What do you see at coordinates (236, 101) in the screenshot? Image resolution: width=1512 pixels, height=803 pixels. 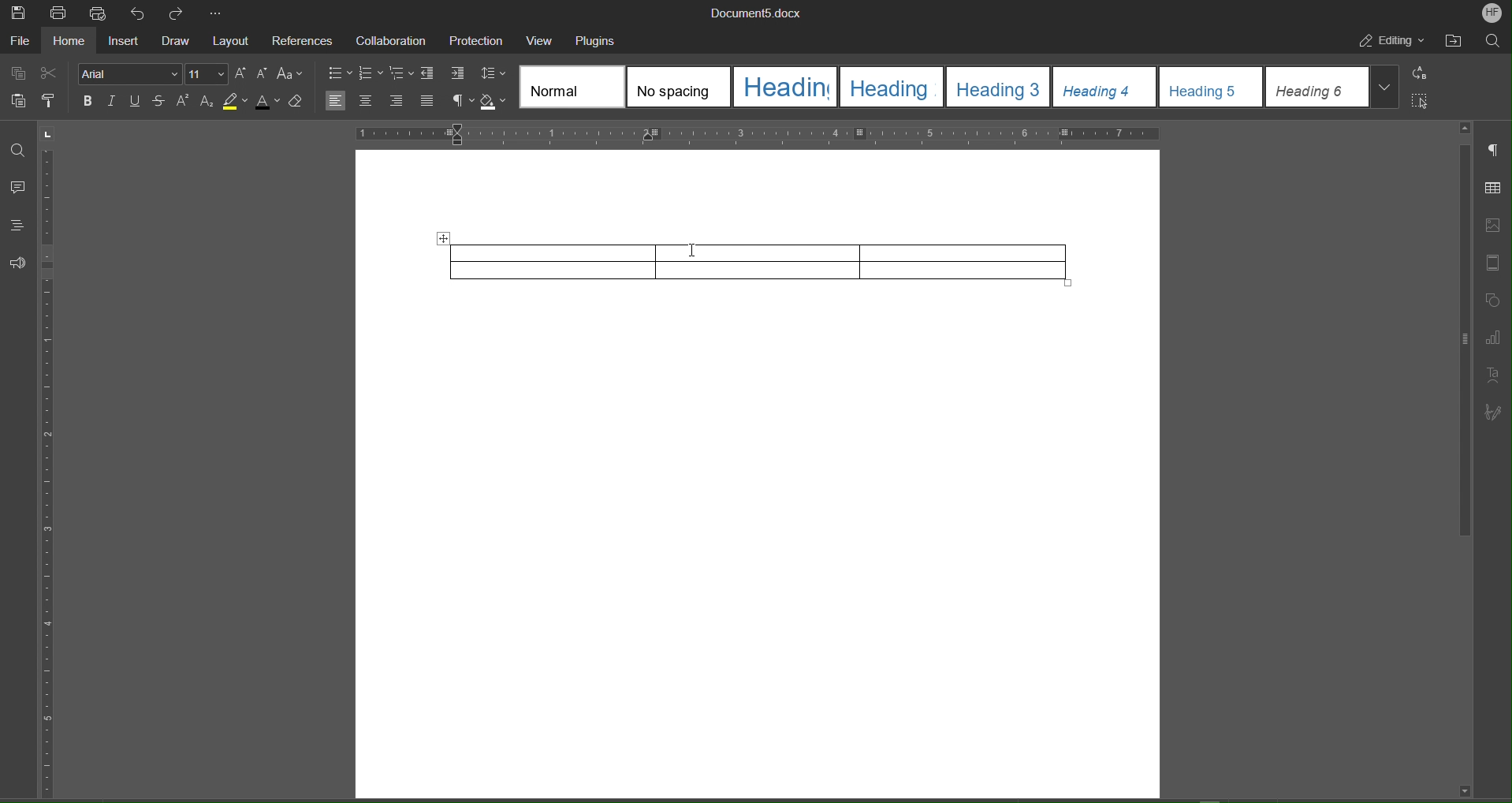 I see `Highlight` at bounding box center [236, 101].